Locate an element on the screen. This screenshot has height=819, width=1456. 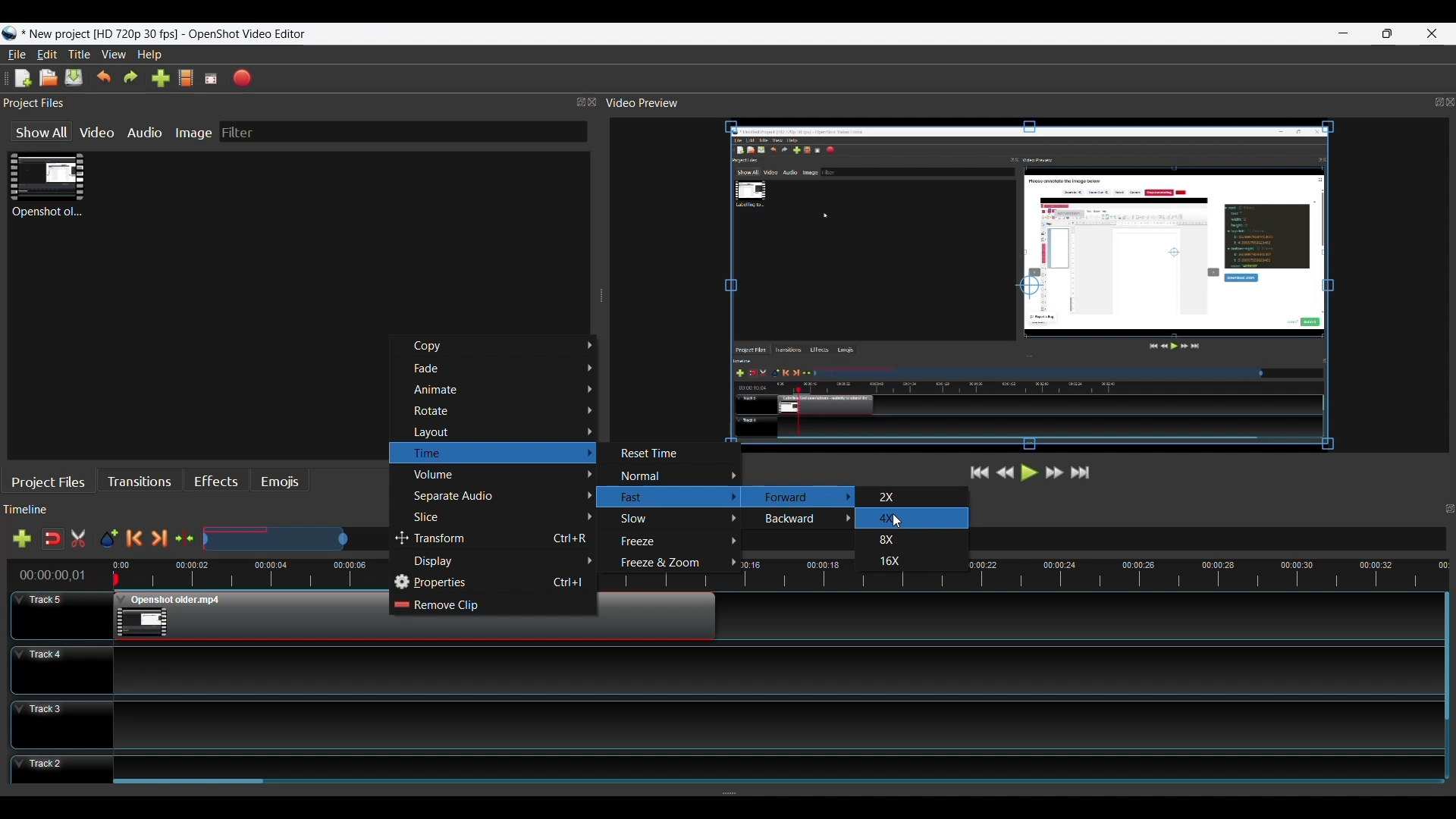
Fast Forward is located at coordinates (1052, 472).